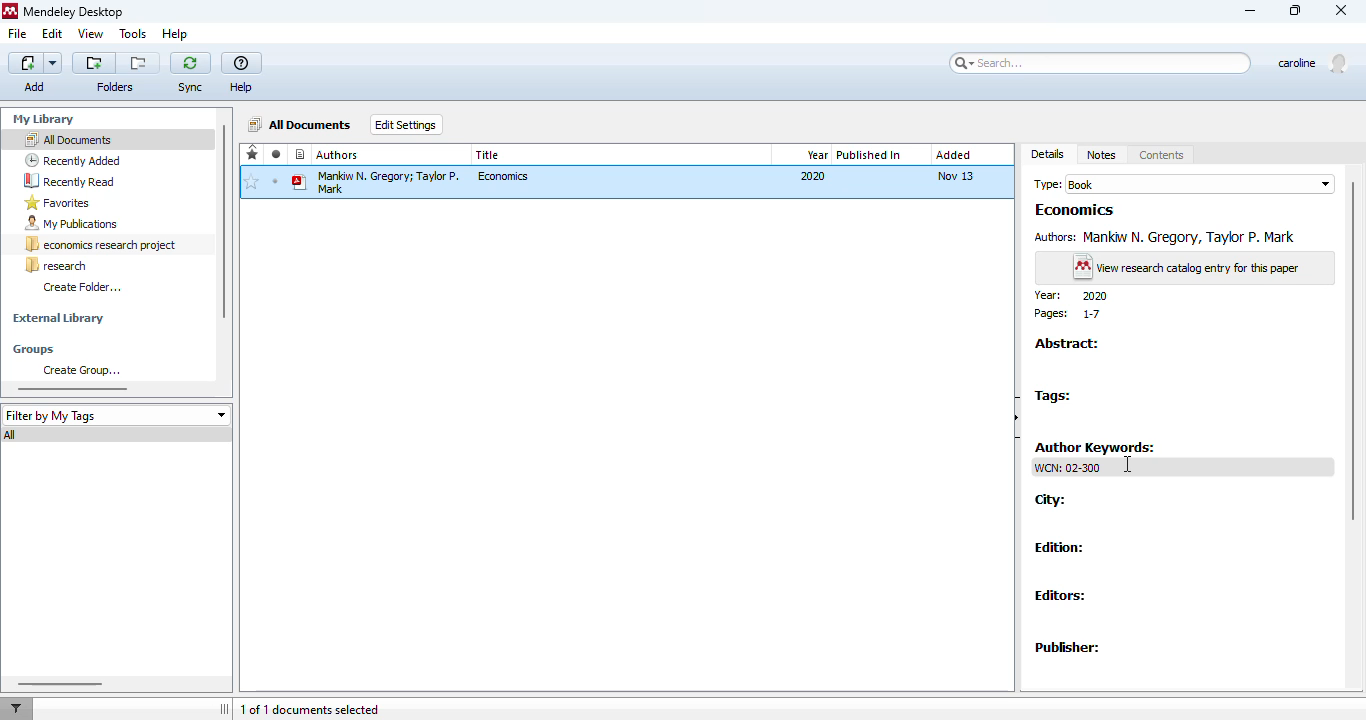  I want to click on edit, so click(52, 33).